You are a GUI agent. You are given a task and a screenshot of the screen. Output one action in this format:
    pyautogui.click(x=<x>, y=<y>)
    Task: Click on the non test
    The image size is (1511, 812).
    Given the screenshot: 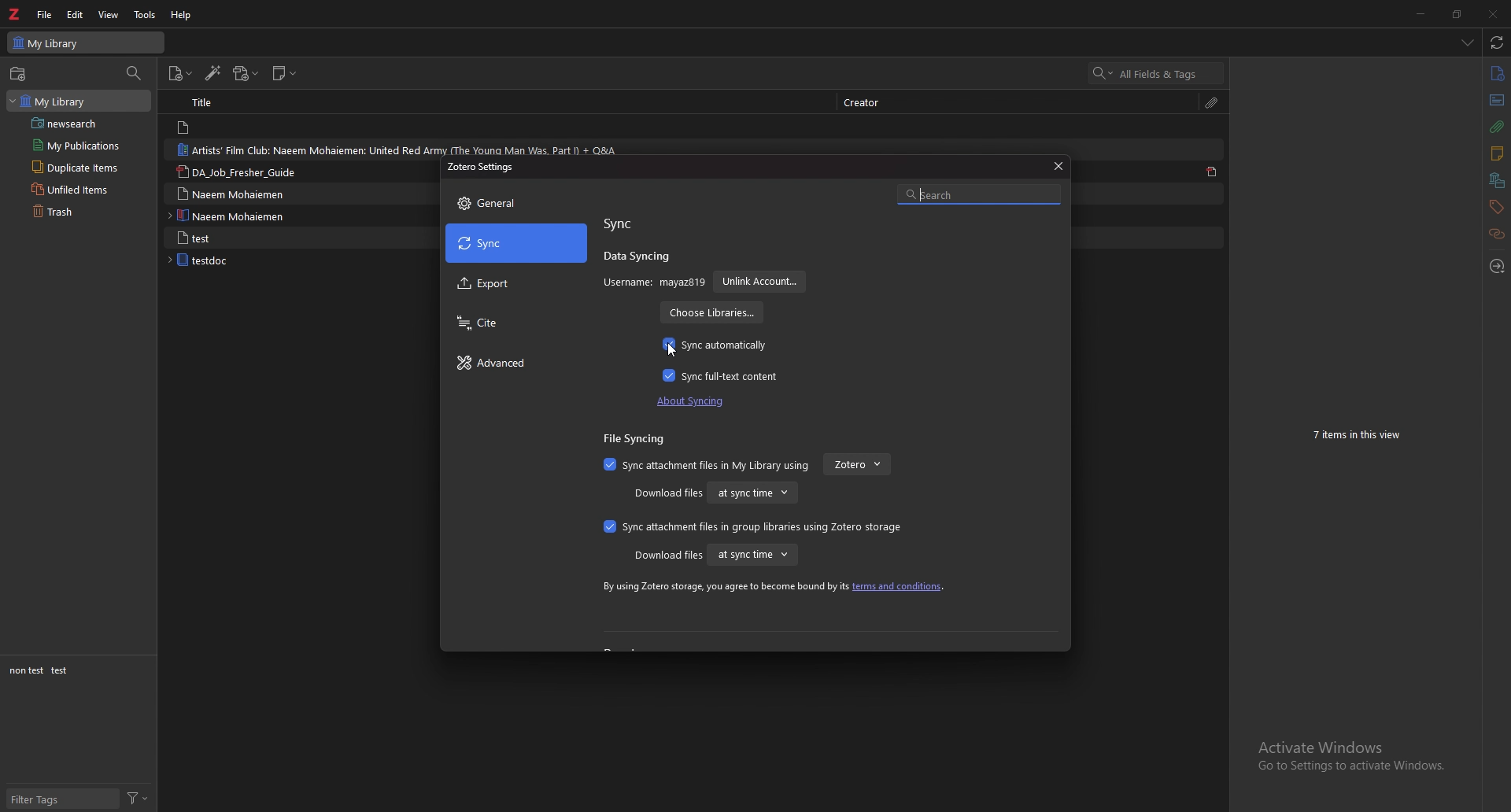 What is the action you would take?
    pyautogui.click(x=25, y=671)
    